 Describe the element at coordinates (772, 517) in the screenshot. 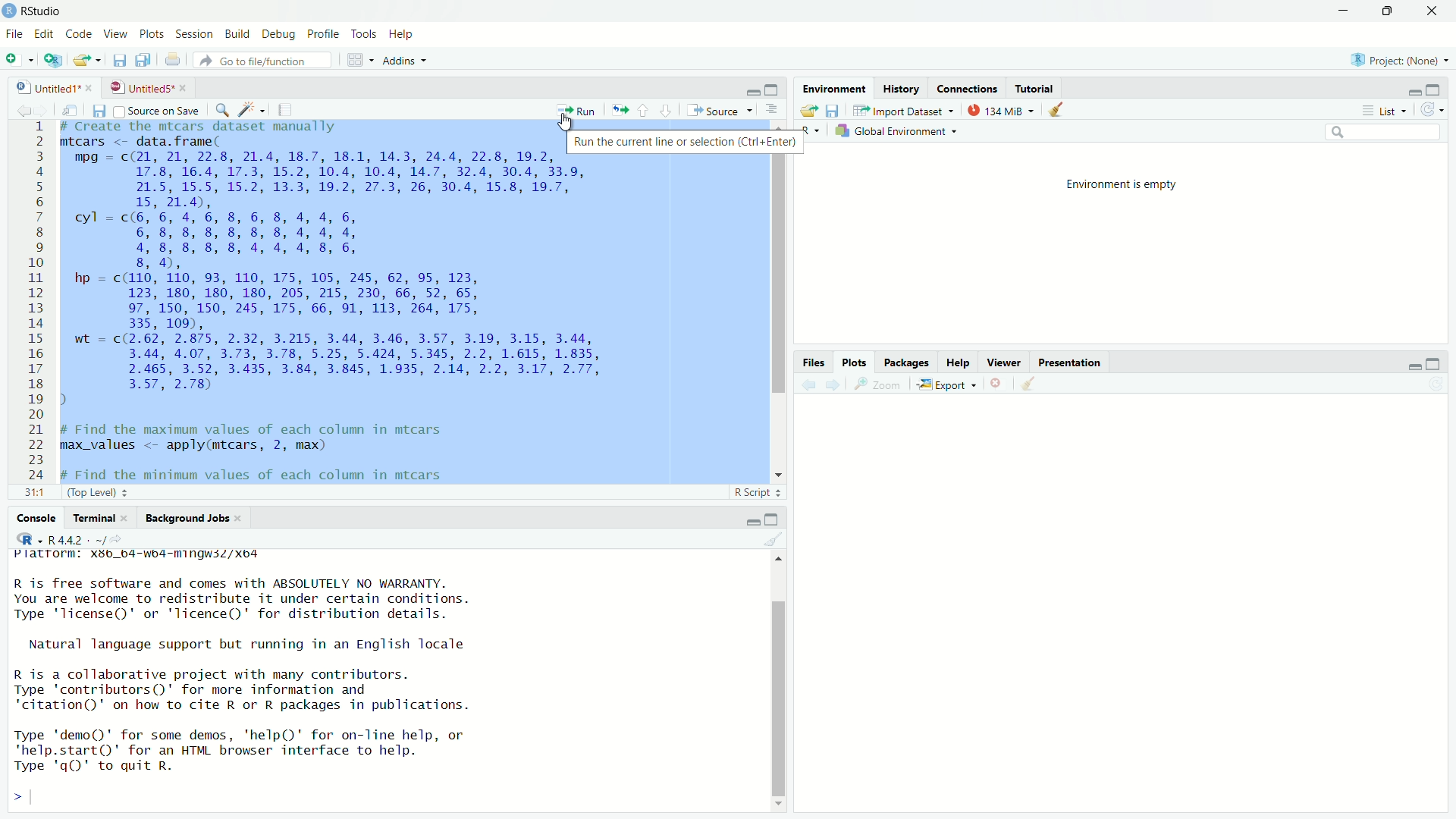

I see `maximise` at that location.